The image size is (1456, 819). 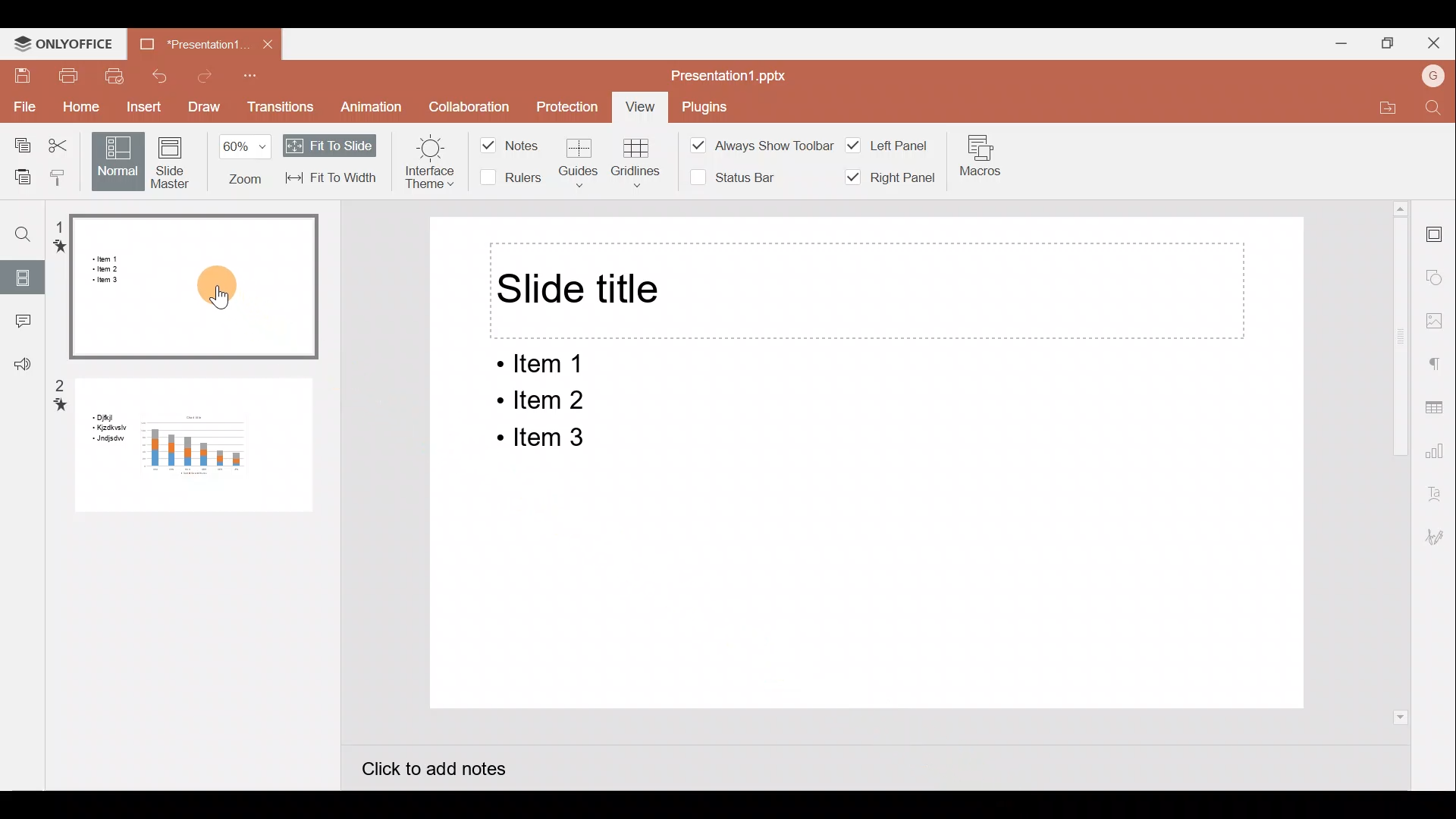 What do you see at coordinates (184, 453) in the screenshot?
I see `Slide 2 preview` at bounding box center [184, 453].